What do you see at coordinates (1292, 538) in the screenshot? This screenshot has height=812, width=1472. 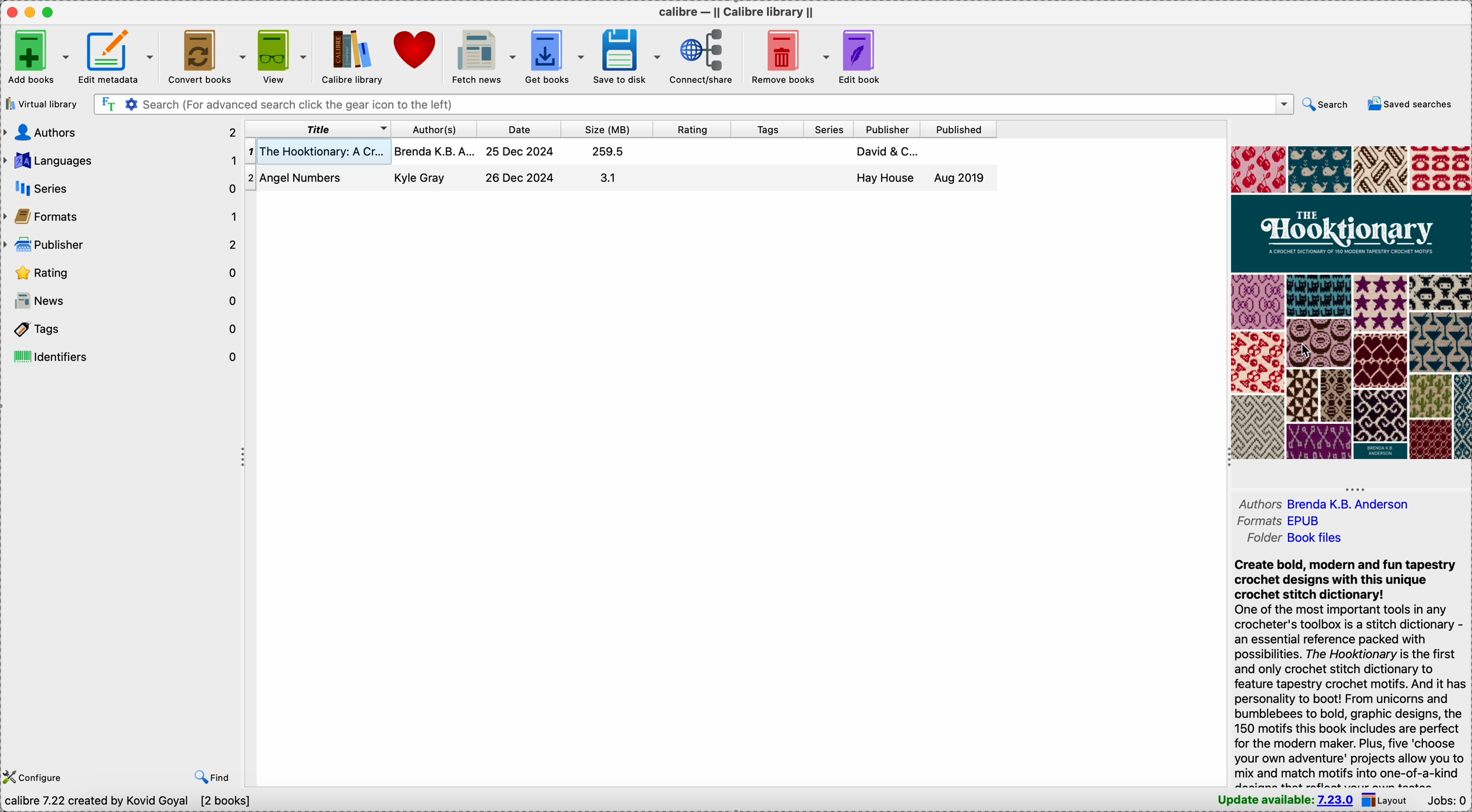 I see `folder` at bounding box center [1292, 538].